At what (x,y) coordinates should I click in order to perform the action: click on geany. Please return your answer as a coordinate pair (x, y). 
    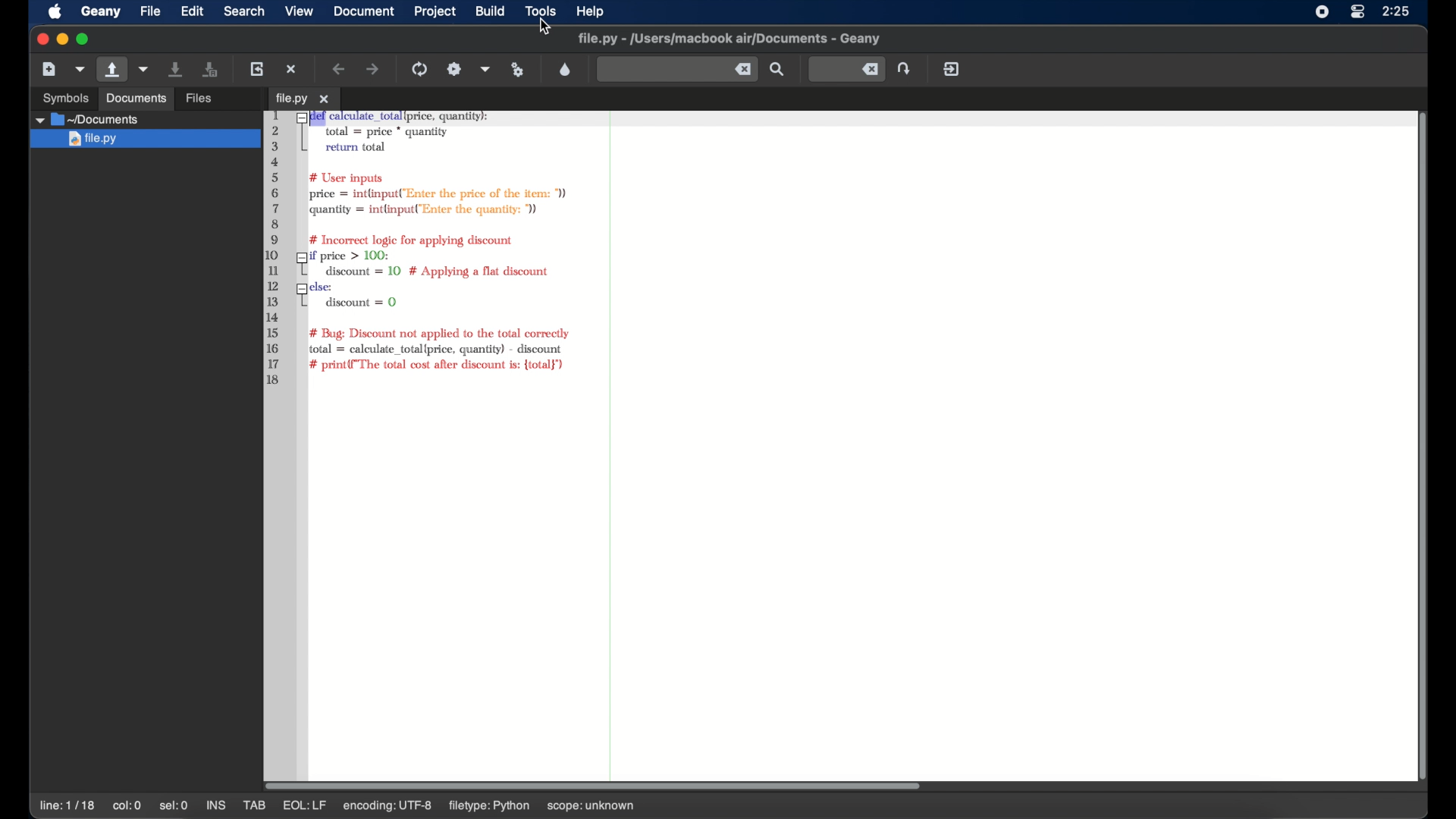
    Looking at the image, I should click on (101, 12).